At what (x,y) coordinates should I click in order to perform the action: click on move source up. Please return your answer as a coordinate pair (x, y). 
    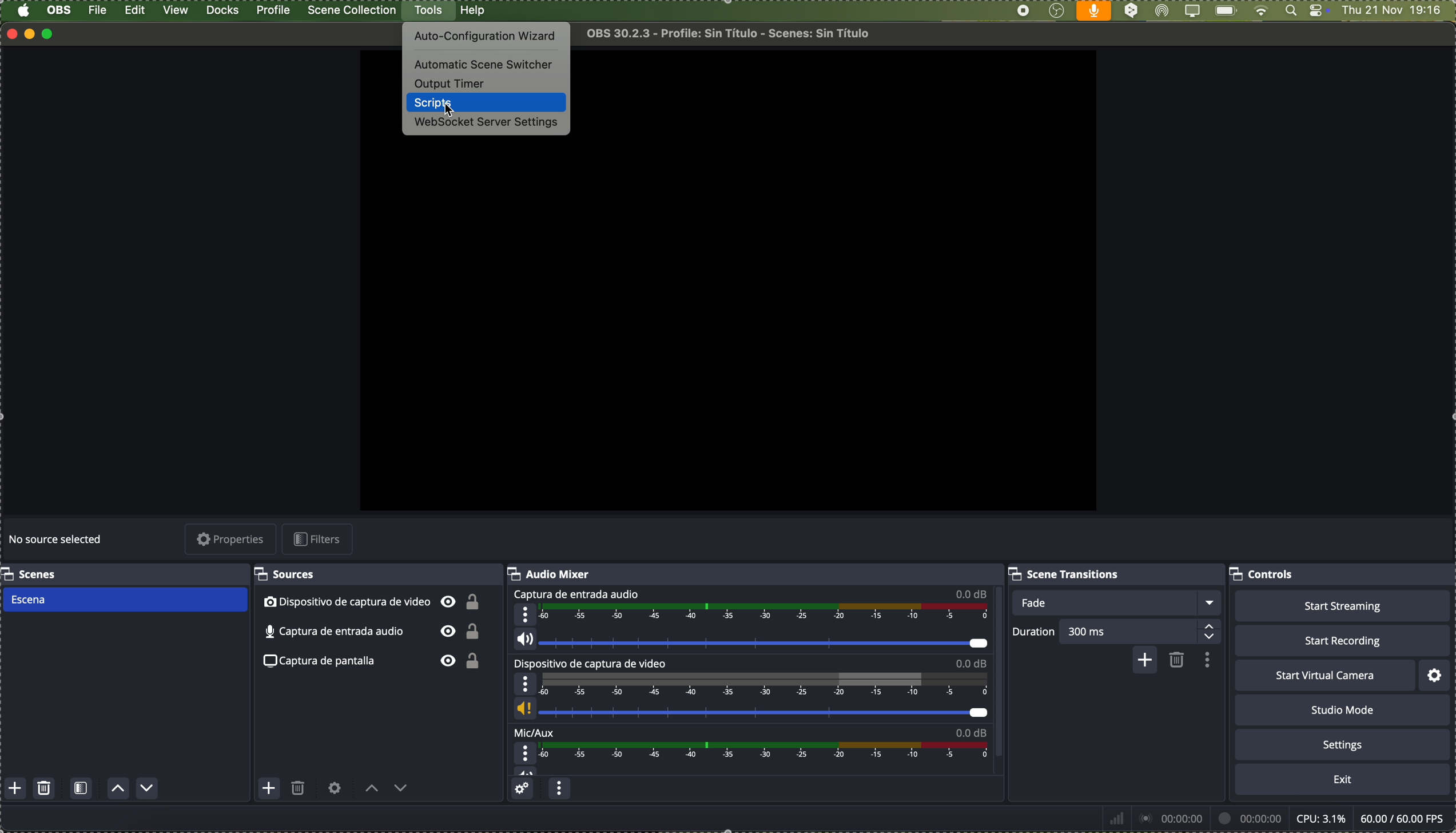
    Looking at the image, I should click on (372, 789).